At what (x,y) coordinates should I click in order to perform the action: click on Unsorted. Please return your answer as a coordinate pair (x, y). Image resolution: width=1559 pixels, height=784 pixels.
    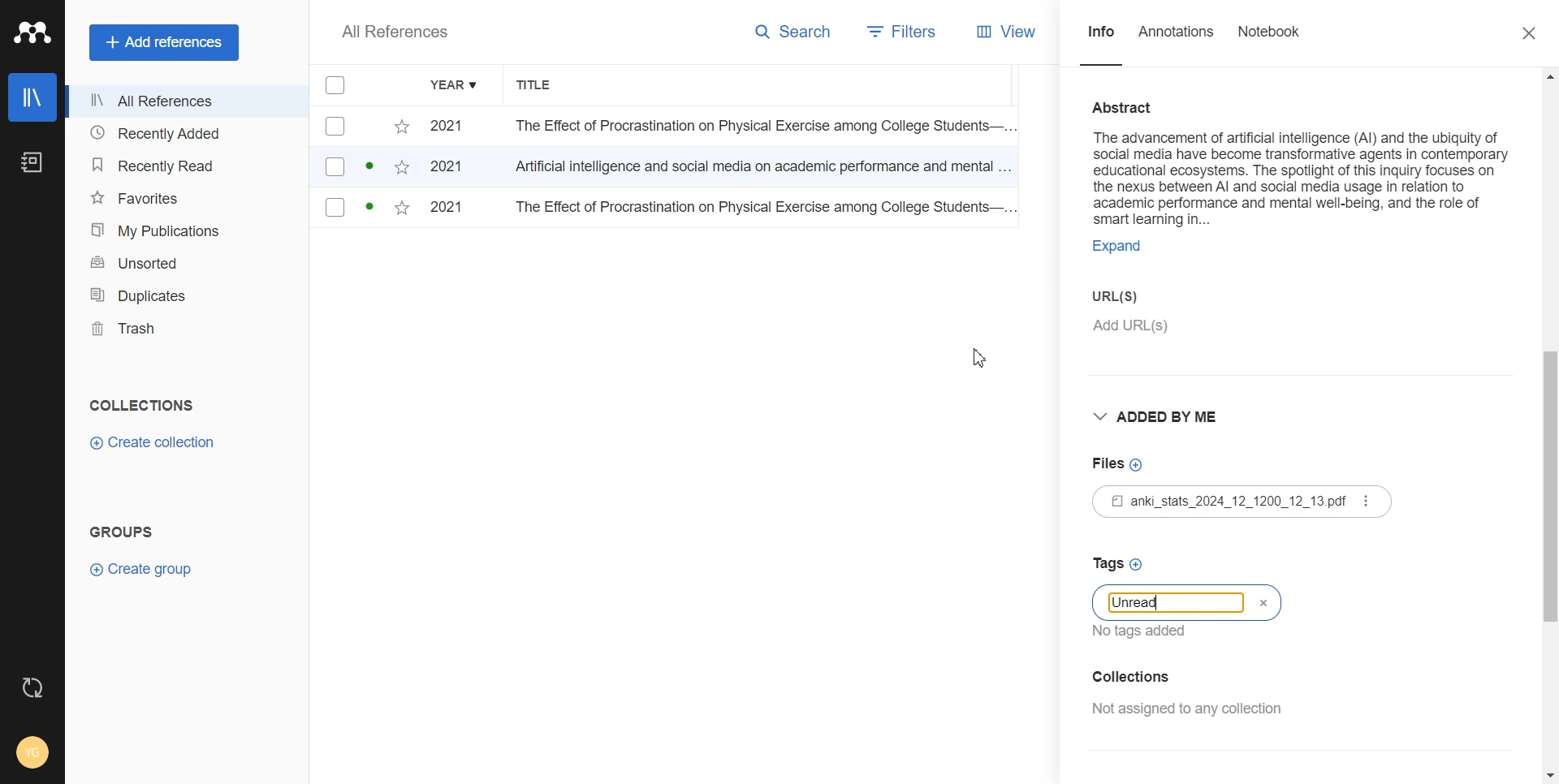
    Looking at the image, I should click on (185, 261).